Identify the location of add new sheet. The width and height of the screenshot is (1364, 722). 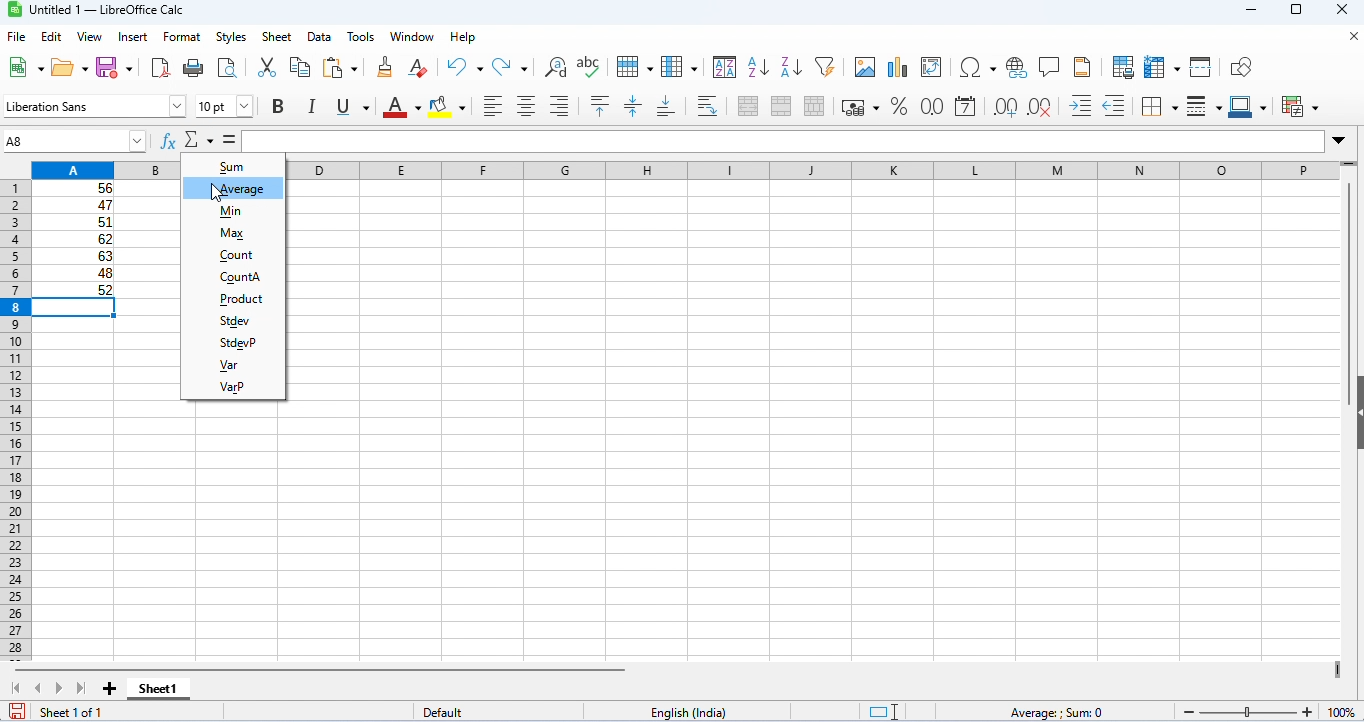
(110, 690).